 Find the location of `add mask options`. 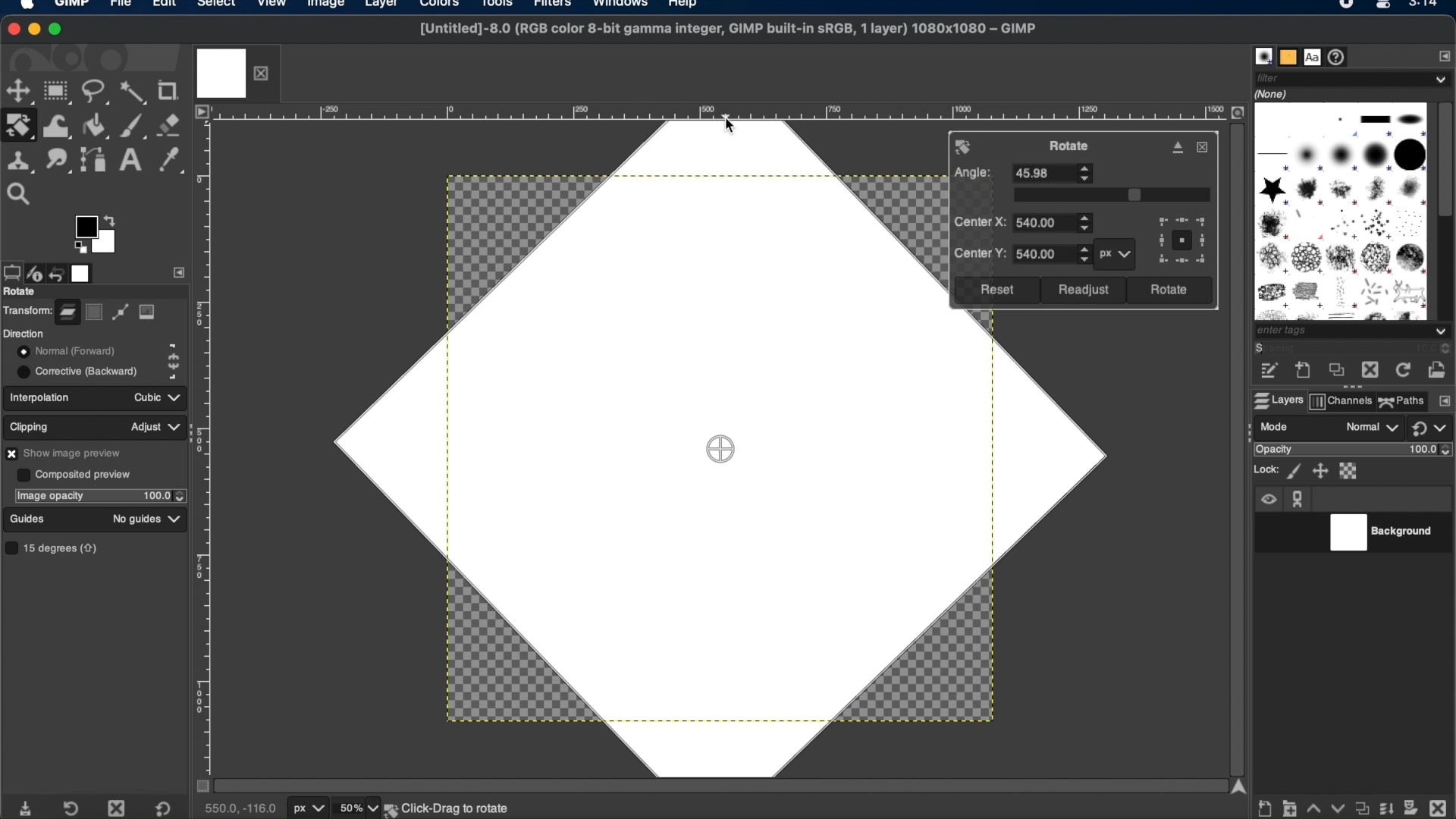

add mask options is located at coordinates (1411, 806).